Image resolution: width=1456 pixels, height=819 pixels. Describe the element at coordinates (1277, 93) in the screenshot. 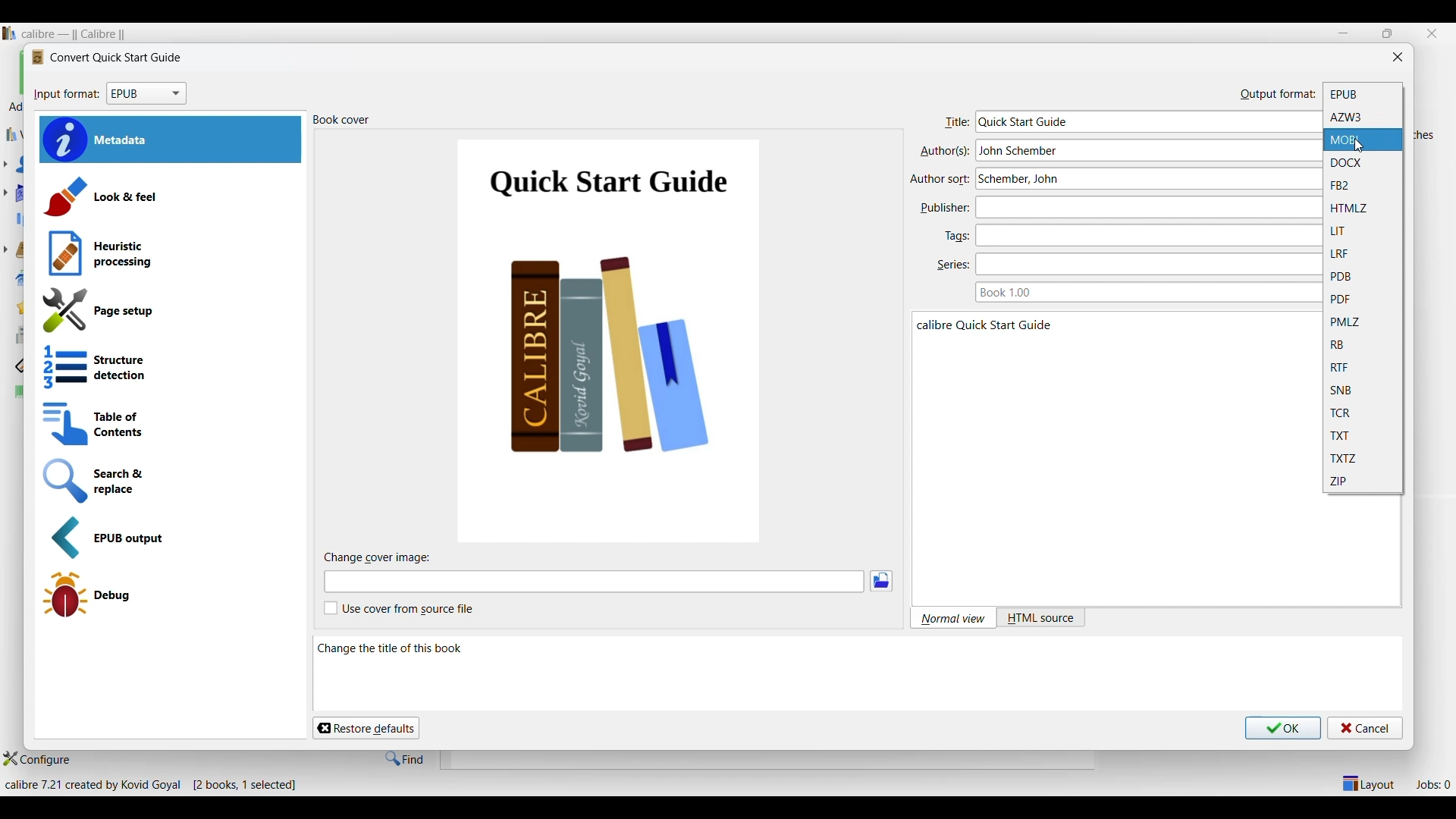

I see `output format` at that location.